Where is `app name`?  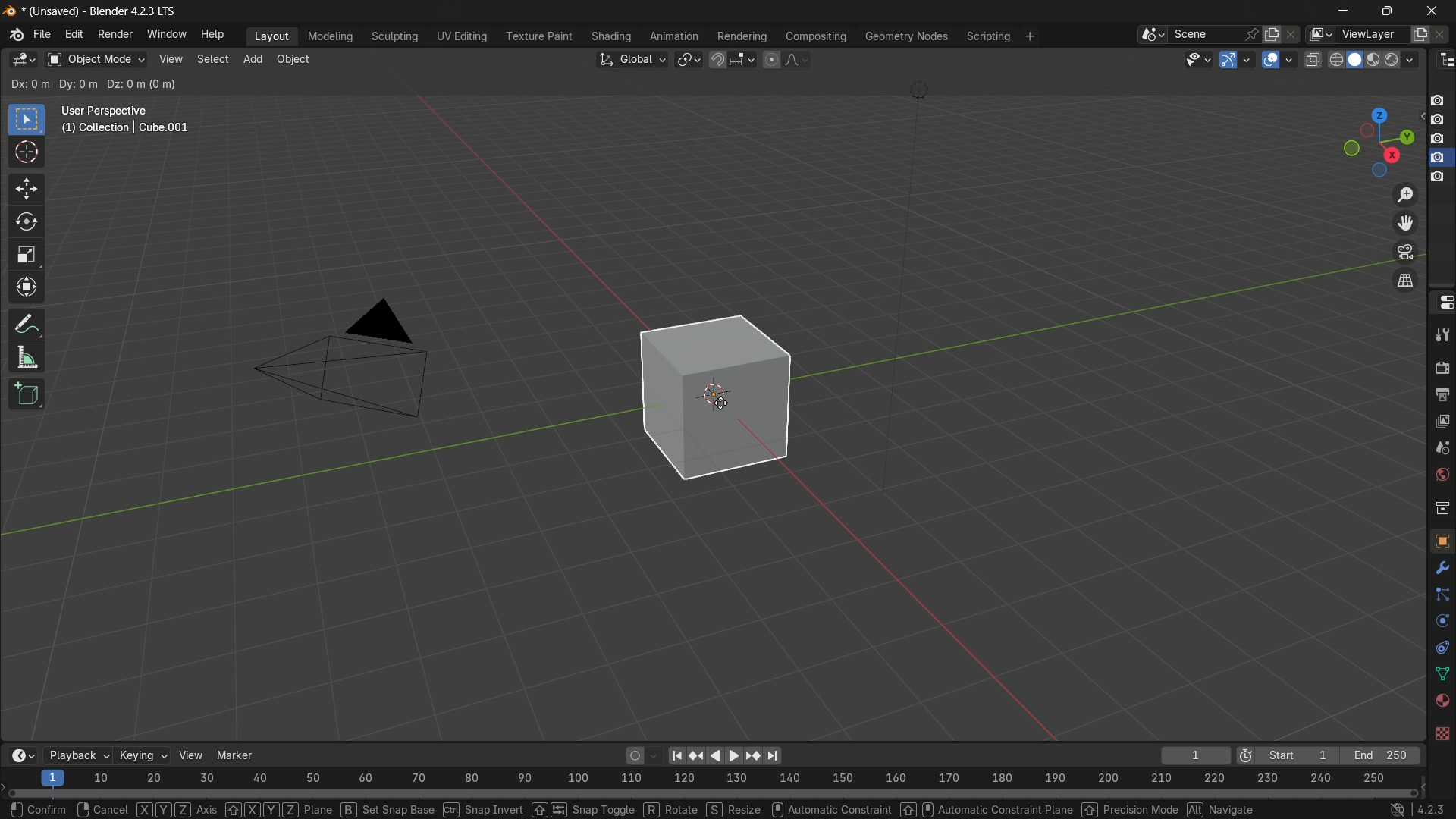
app name is located at coordinates (133, 14).